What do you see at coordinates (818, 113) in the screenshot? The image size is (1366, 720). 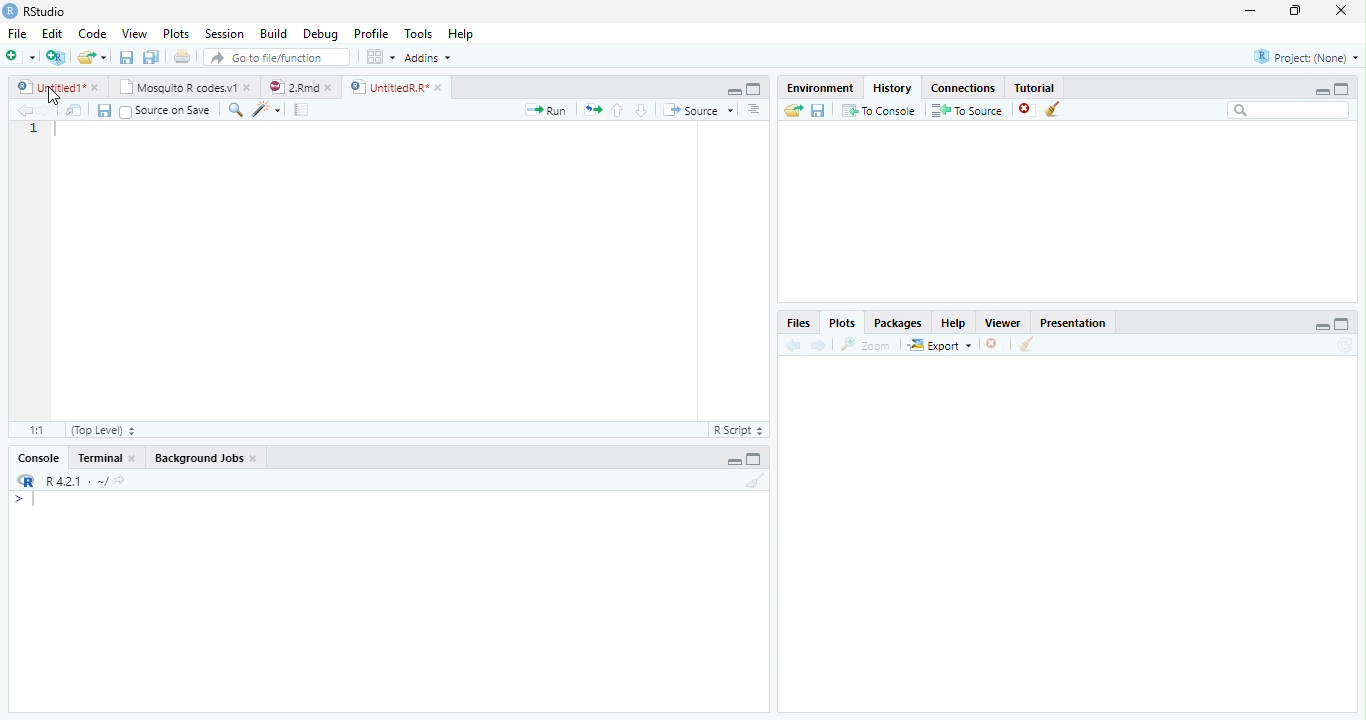 I see `Save` at bounding box center [818, 113].